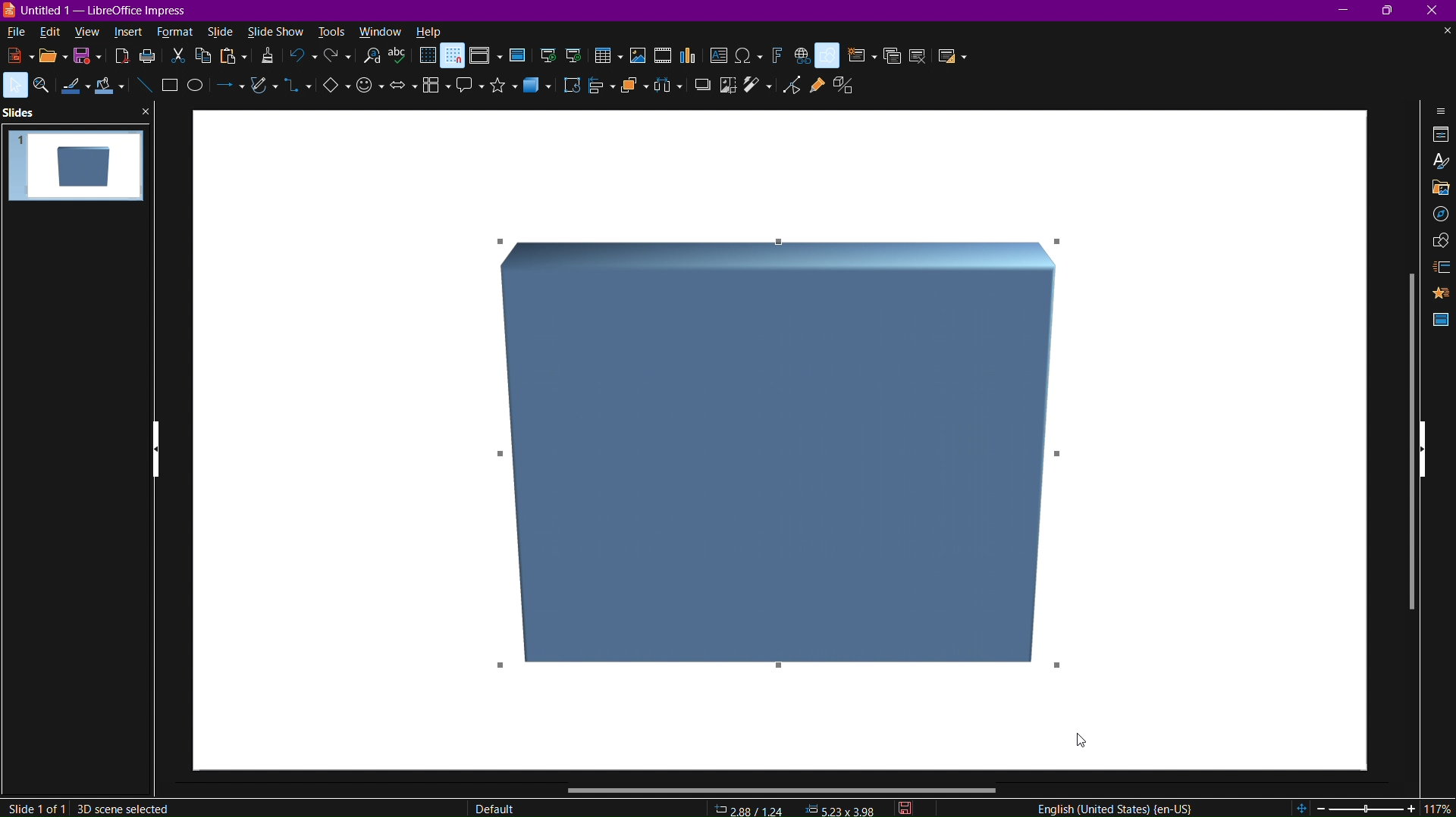  I want to click on Insert Media or Audio, so click(662, 57).